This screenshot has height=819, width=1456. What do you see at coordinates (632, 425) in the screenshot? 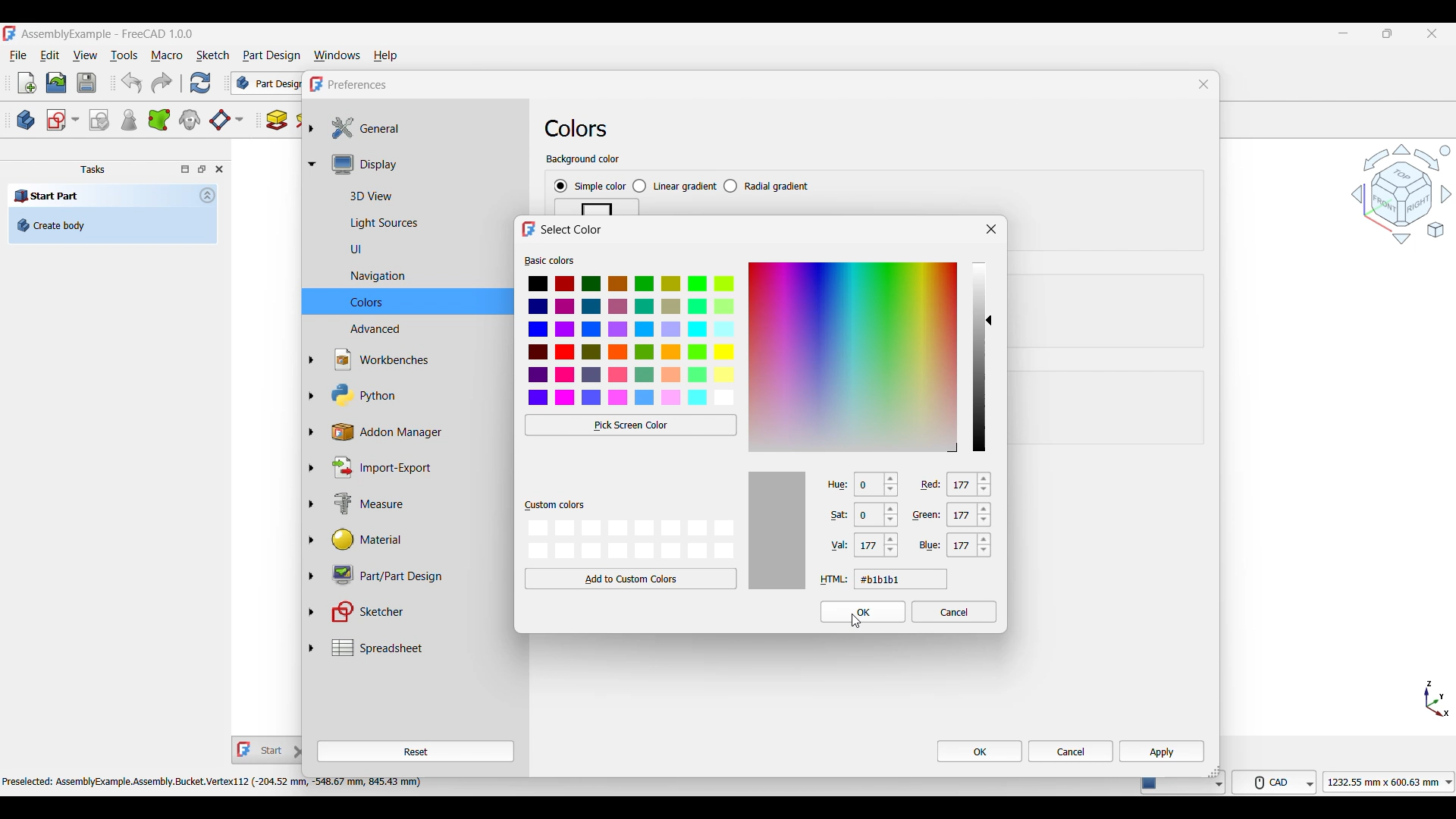
I see `Pick screen color` at bounding box center [632, 425].